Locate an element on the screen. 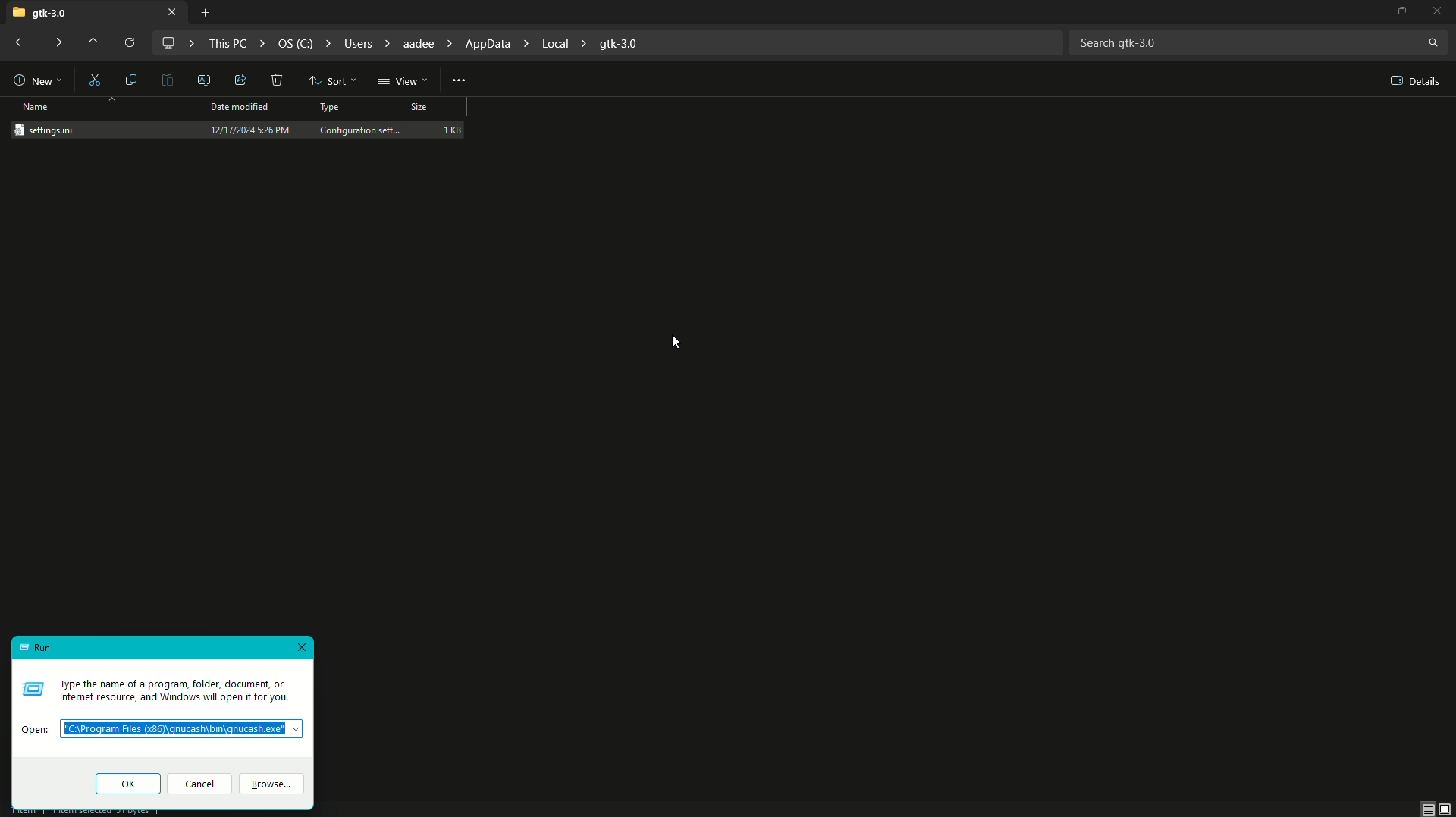 The height and width of the screenshot is (817, 1456). New is located at coordinates (36, 78).